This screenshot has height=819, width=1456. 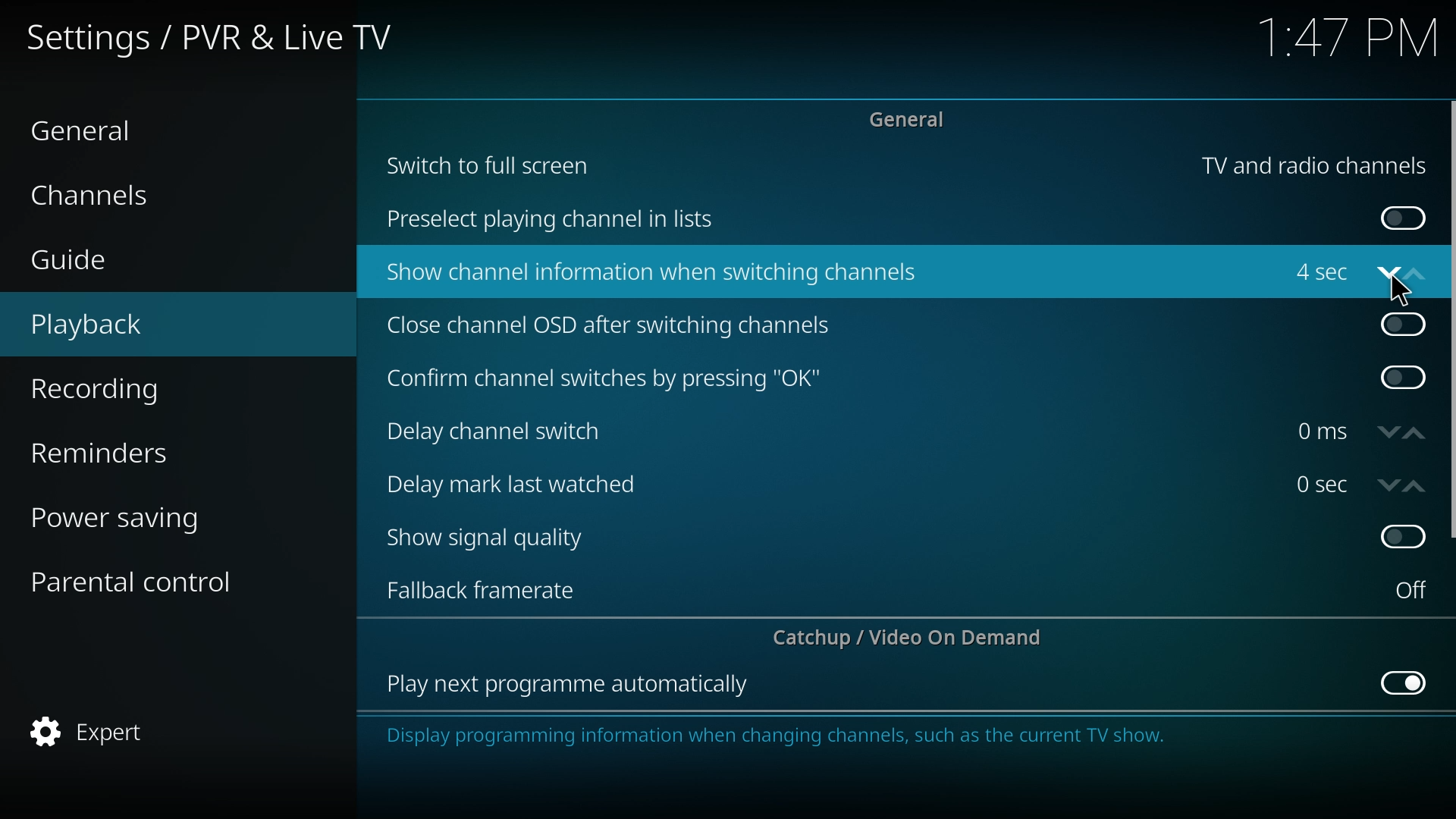 What do you see at coordinates (570, 686) in the screenshot?
I see `play next program automatically` at bounding box center [570, 686].